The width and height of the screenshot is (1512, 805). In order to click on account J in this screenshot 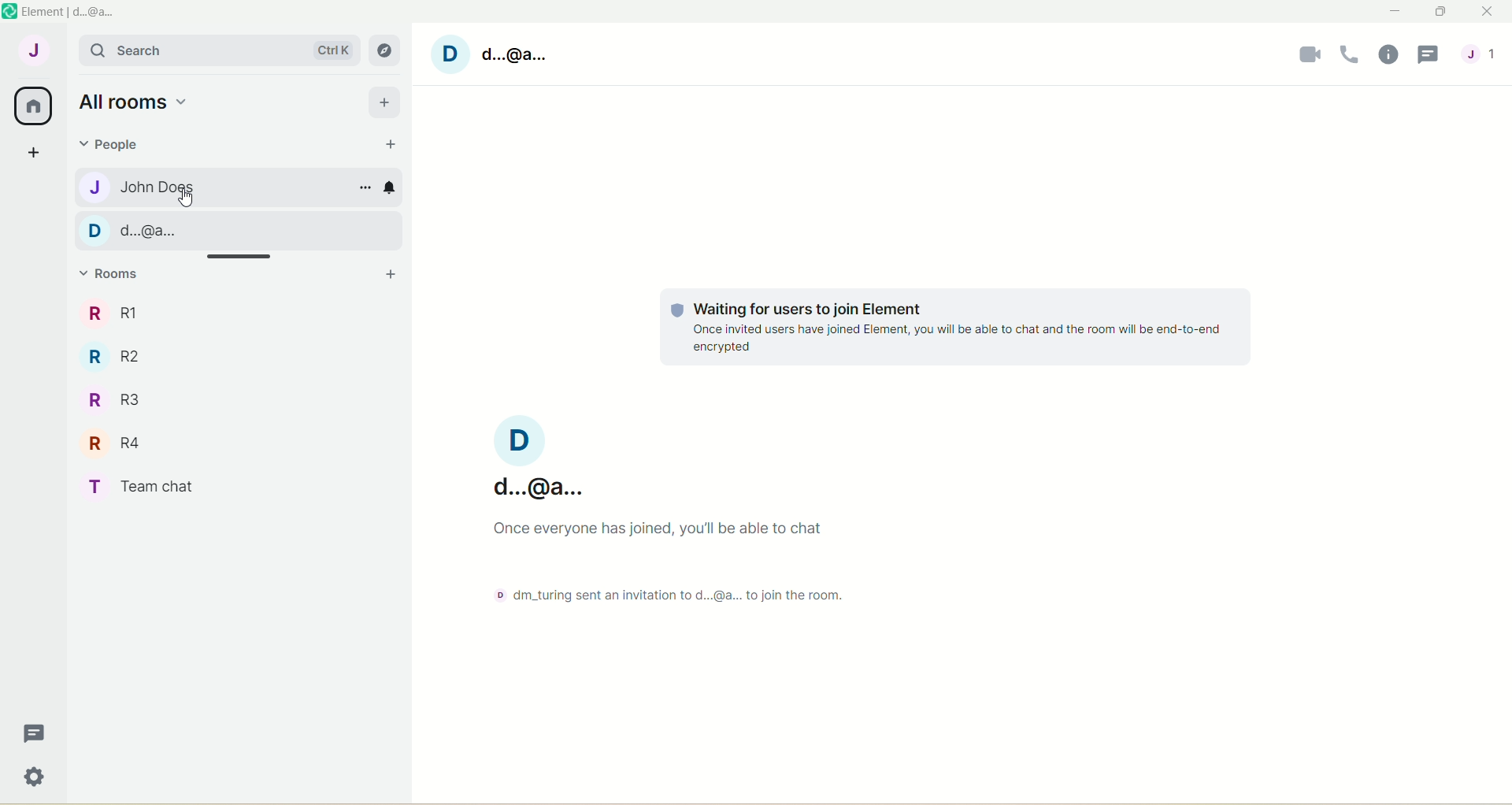, I will do `click(32, 48)`.